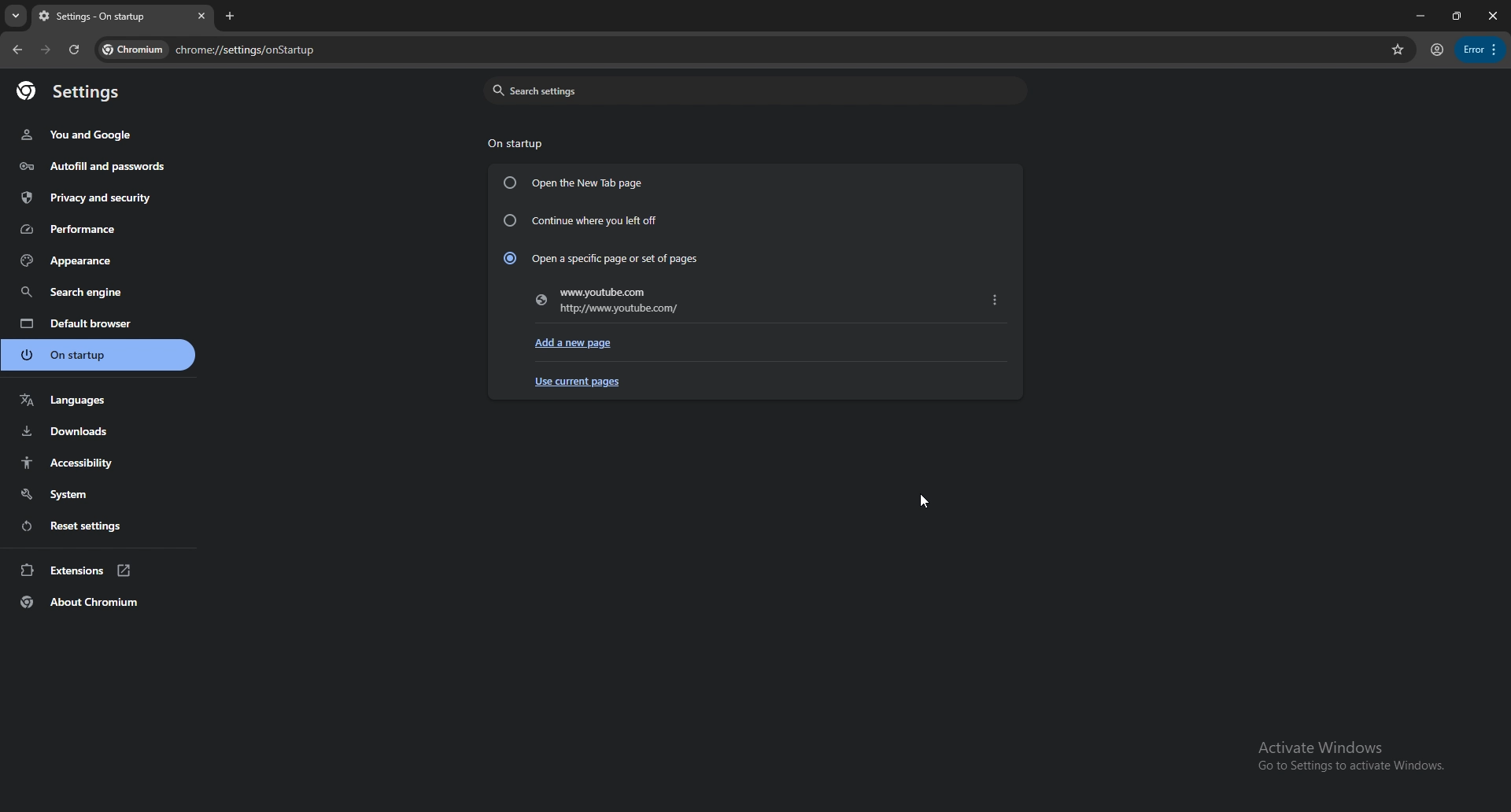 The image size is (1511, 812). Describe the element at coordinates (16, 17) in the screenshot. I see `search tabs` at that location.